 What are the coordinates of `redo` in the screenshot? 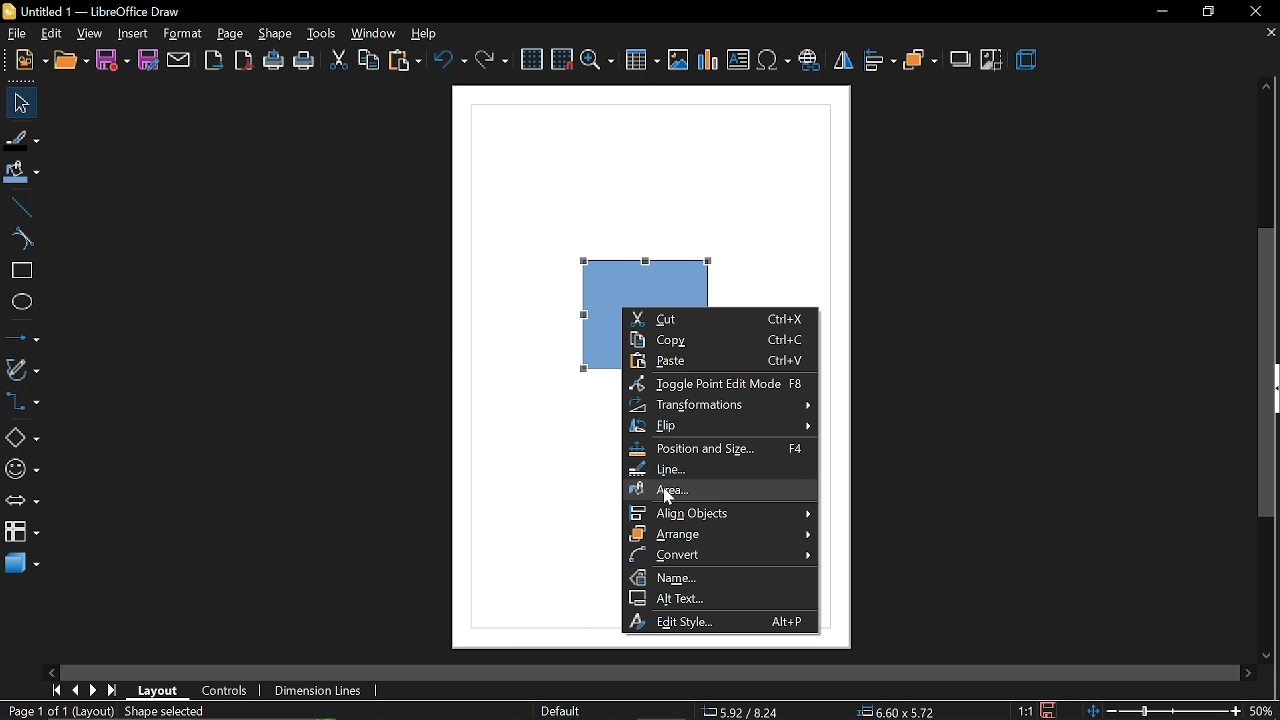 It's located at (493, 61).